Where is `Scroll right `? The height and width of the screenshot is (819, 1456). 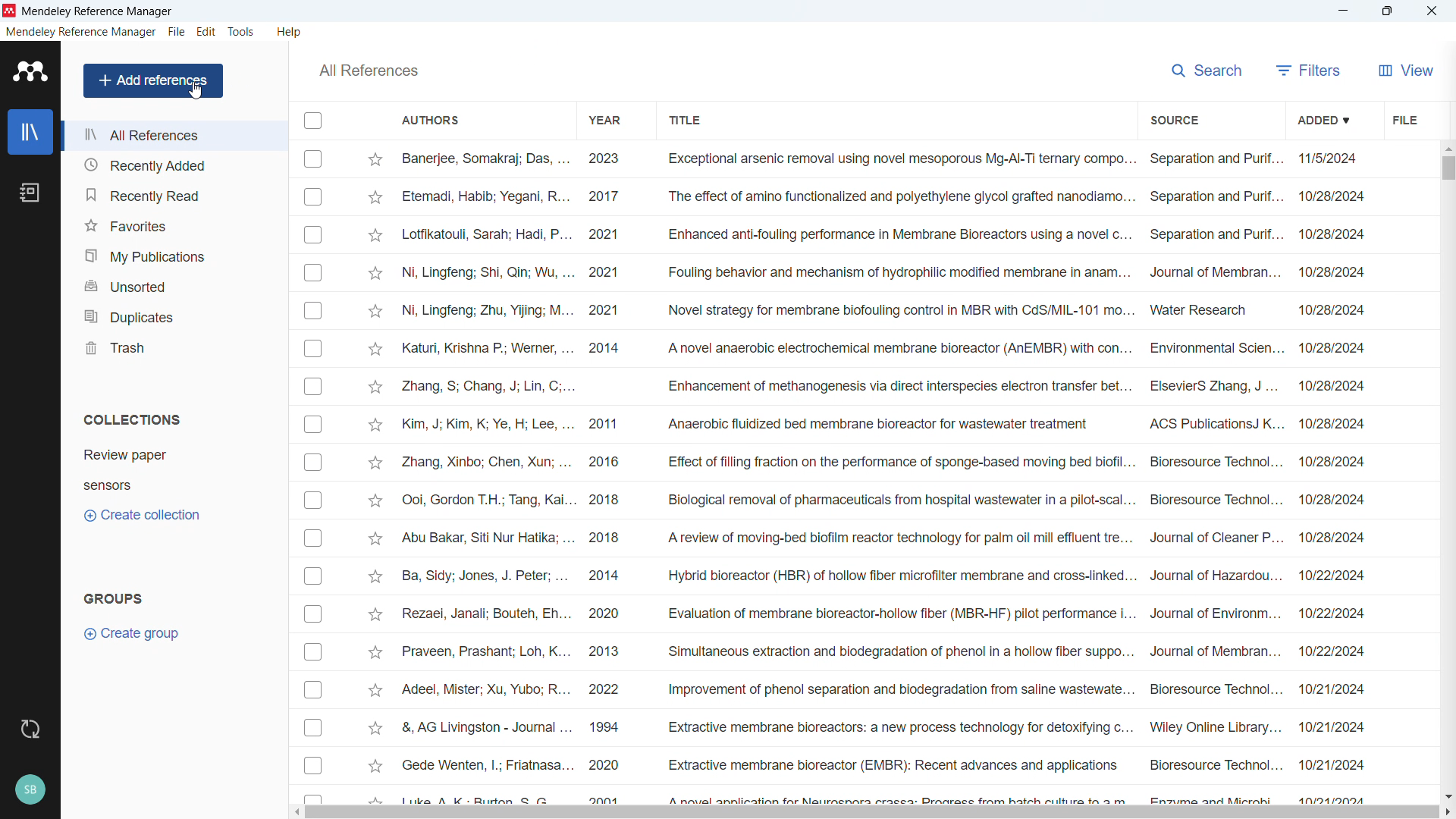
Scroll right  is located at coordinates (1447, 813).